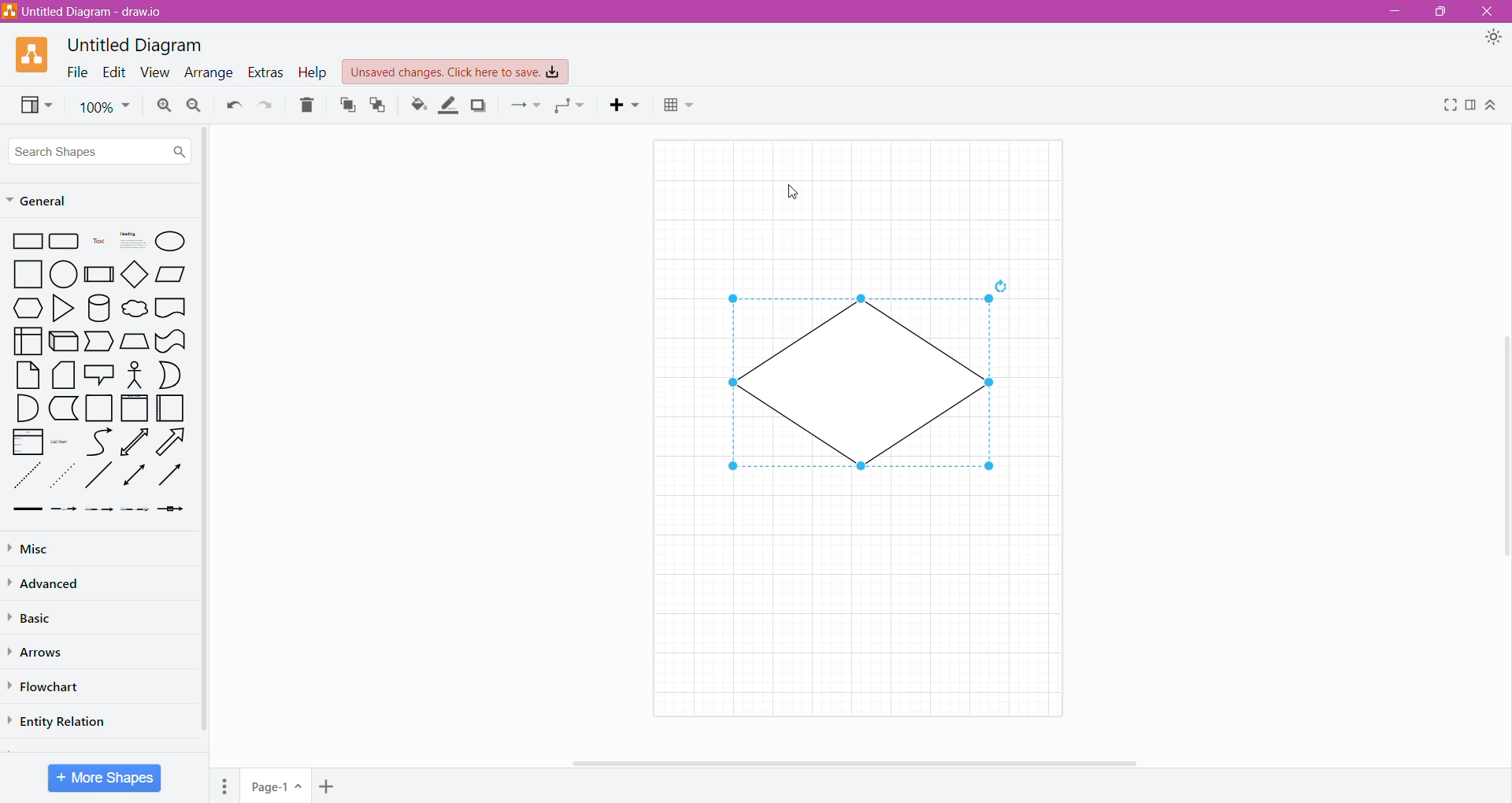 This screenshot has width=1512, height=803. What do you see at coordinates (265, 72) in the screenshot?
I see `Extras` at bounding box center [265, 72].